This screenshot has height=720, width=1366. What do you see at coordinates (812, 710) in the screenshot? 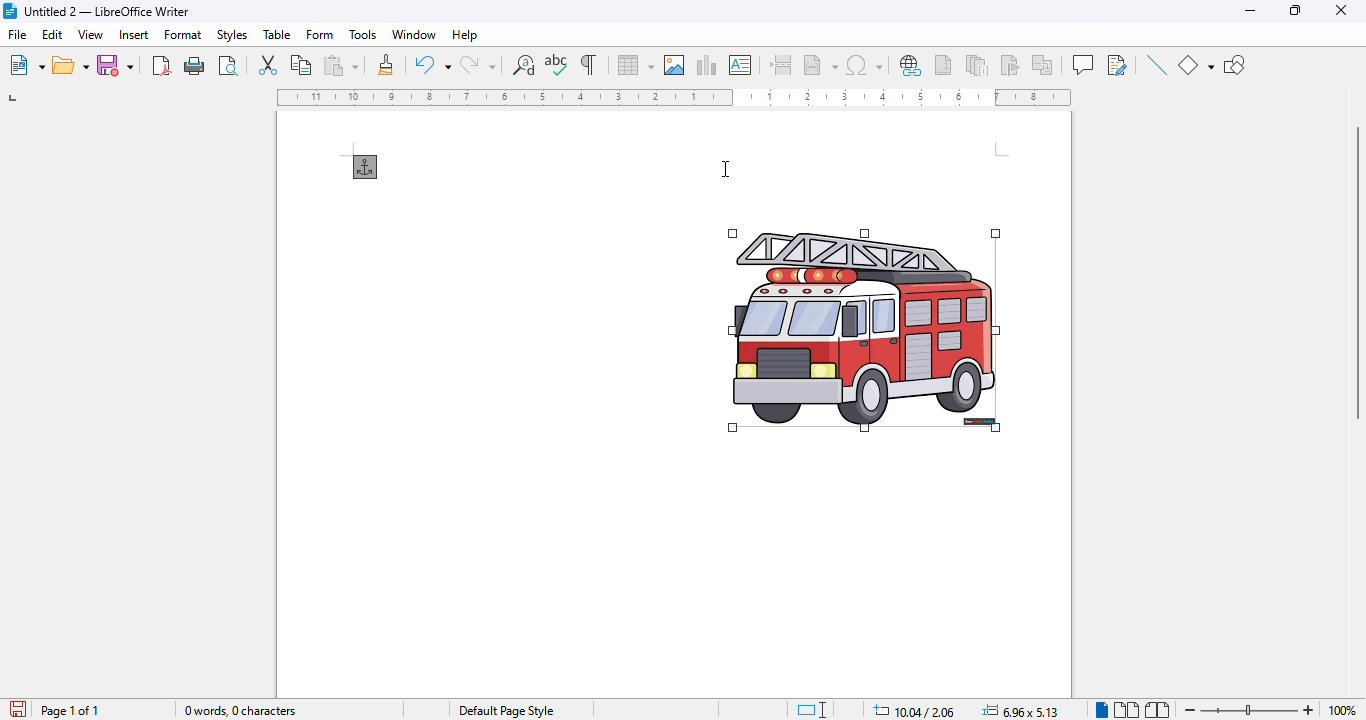
I see `standard selection` at bounding box center [812, 710].